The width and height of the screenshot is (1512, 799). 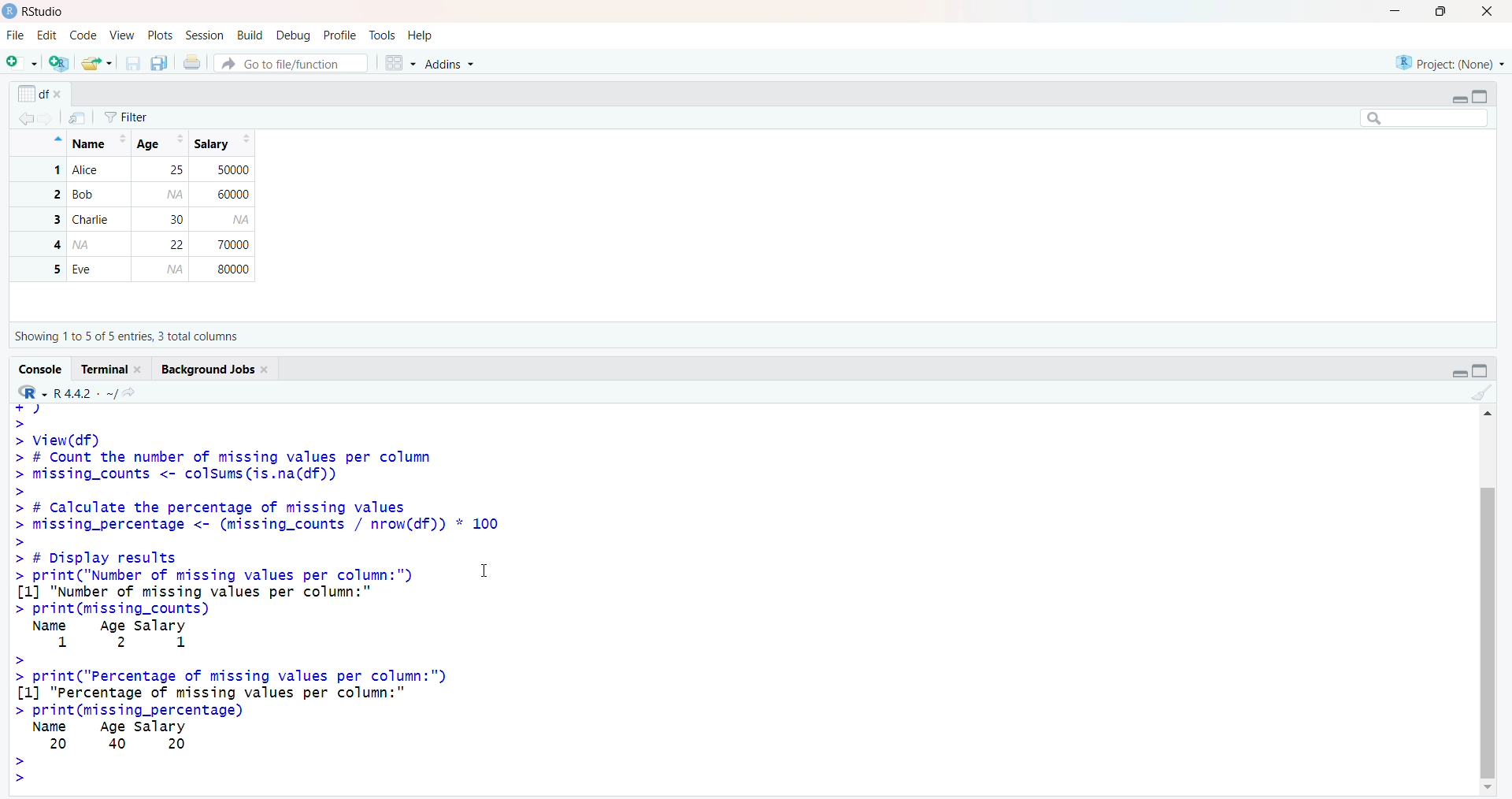 I want to click on df, so click(x=41, y=91).